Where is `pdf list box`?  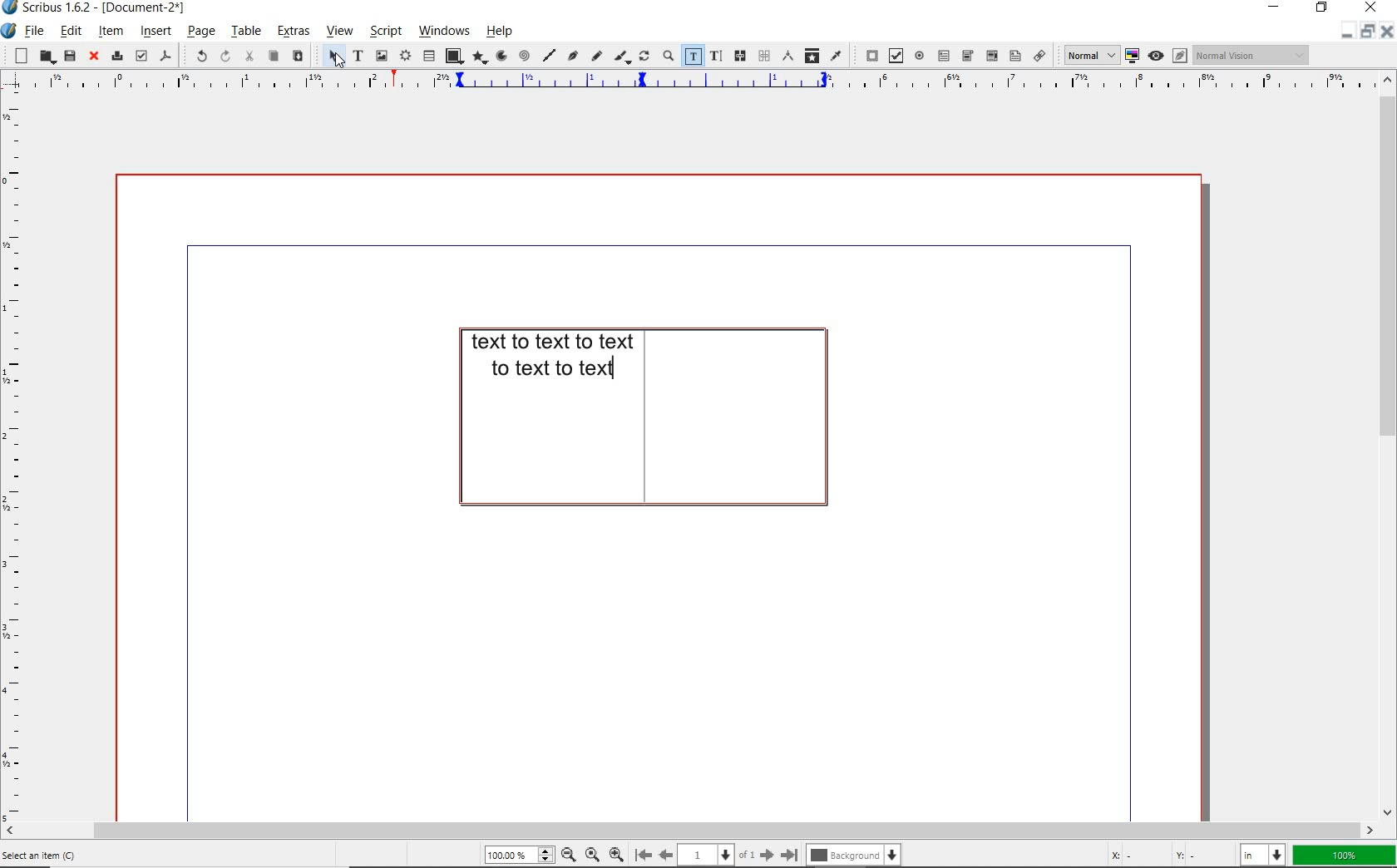 pdf list box is located at coordinates (1014, 55).